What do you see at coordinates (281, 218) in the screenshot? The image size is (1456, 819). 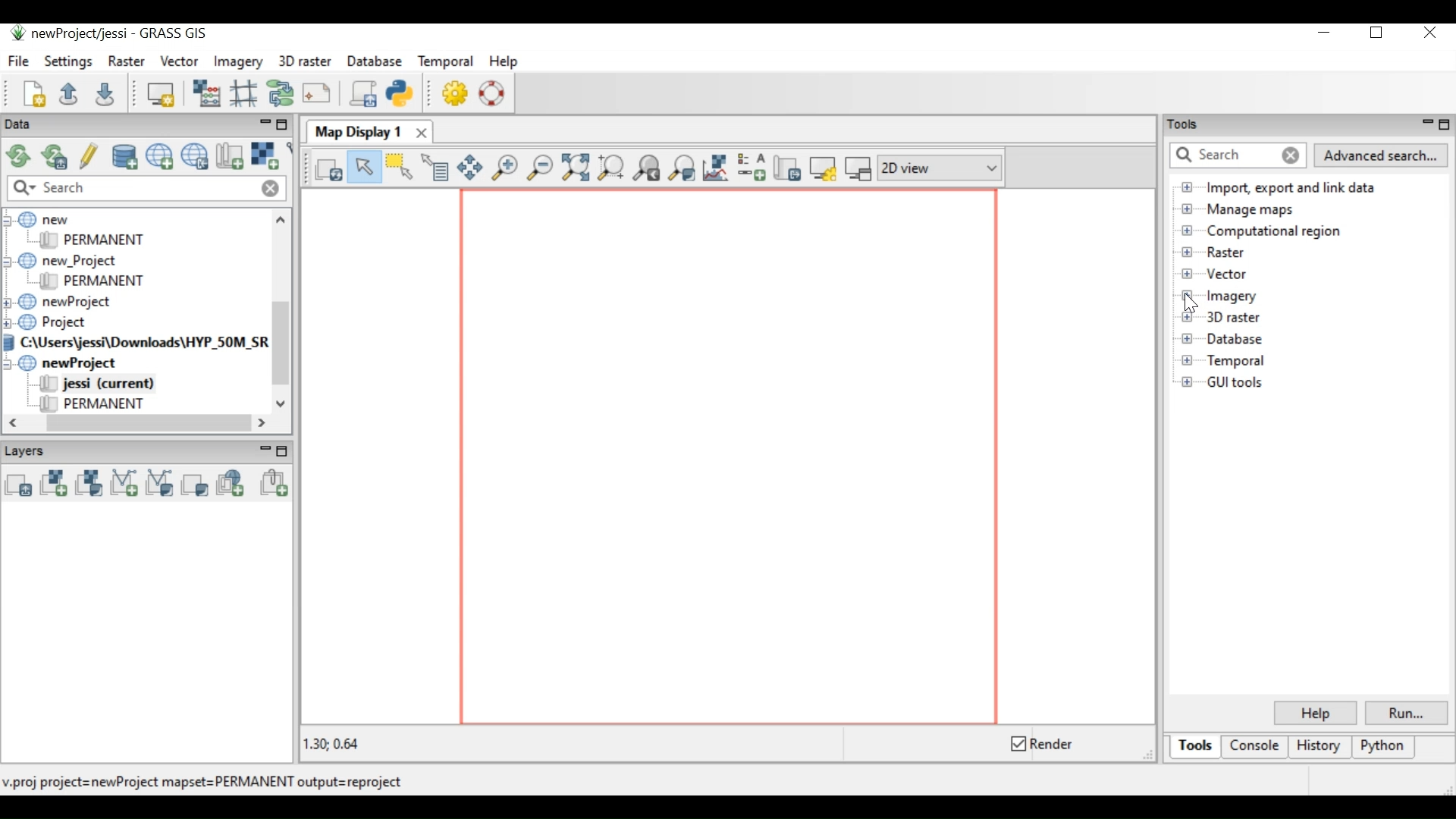 I see `Scroll up` at bounding box center [281, 218].